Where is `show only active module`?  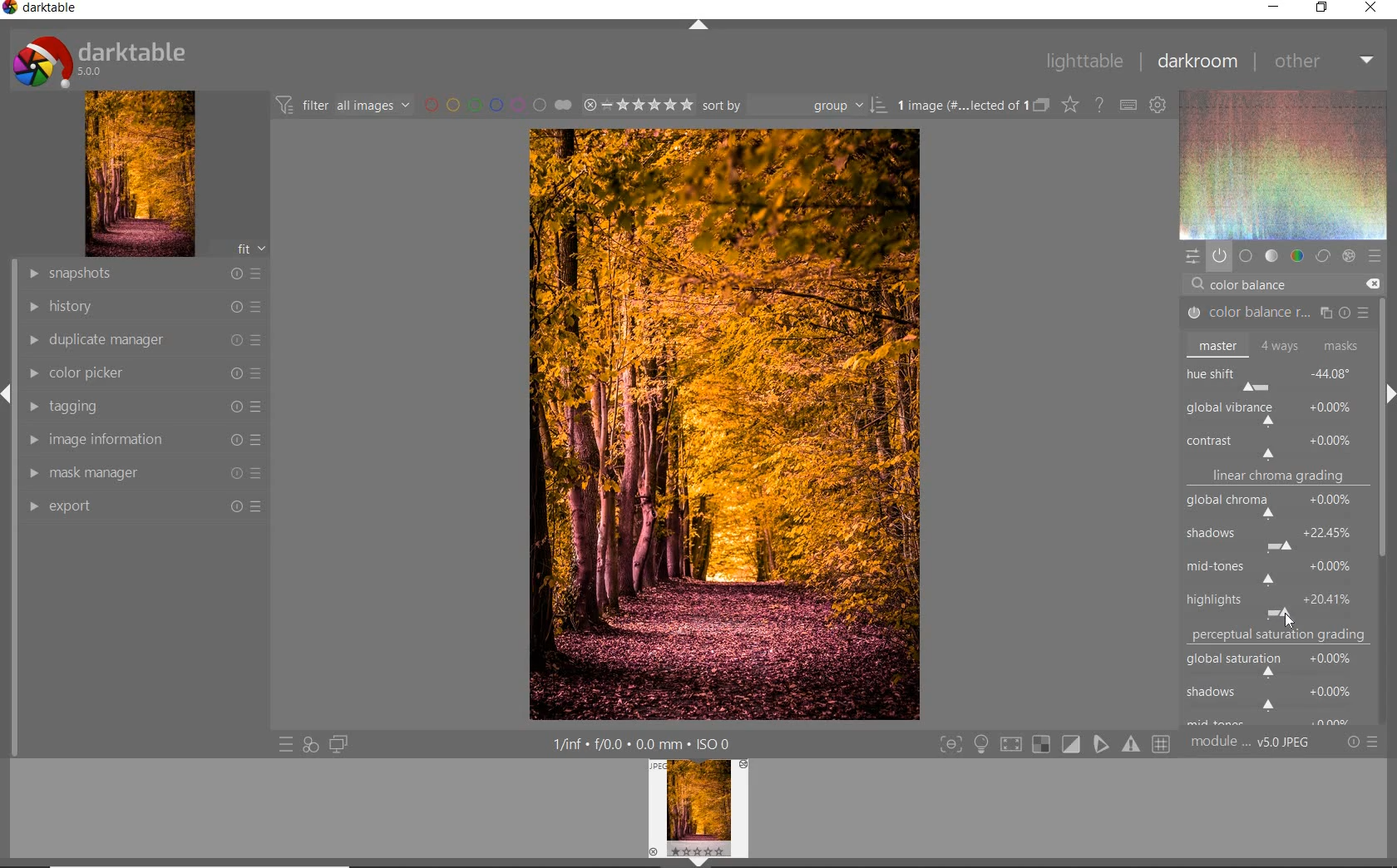
show only active module is located at coordinates (1219, 255).